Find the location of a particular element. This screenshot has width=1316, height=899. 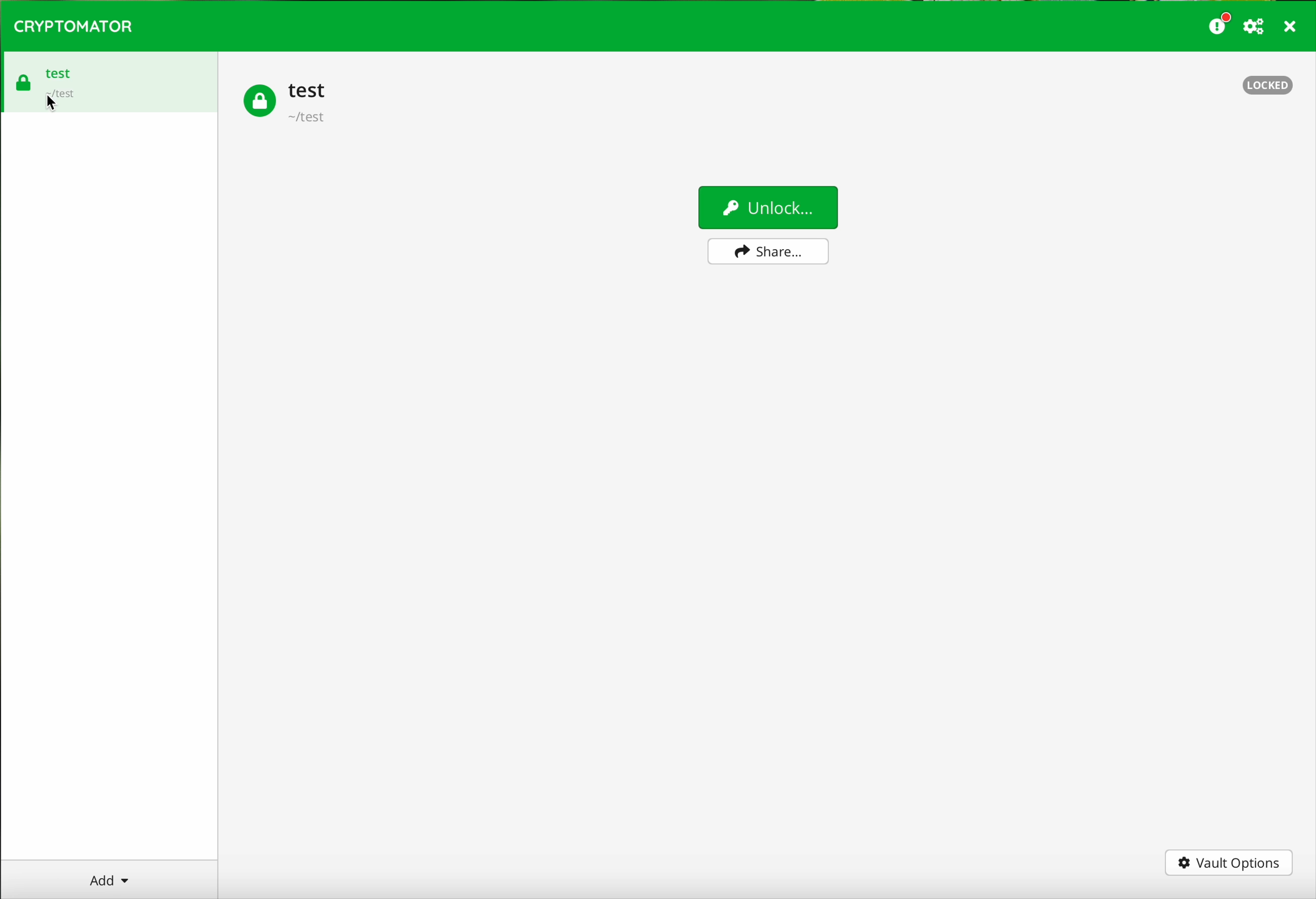

cursor is located at coordinates (55, 110).